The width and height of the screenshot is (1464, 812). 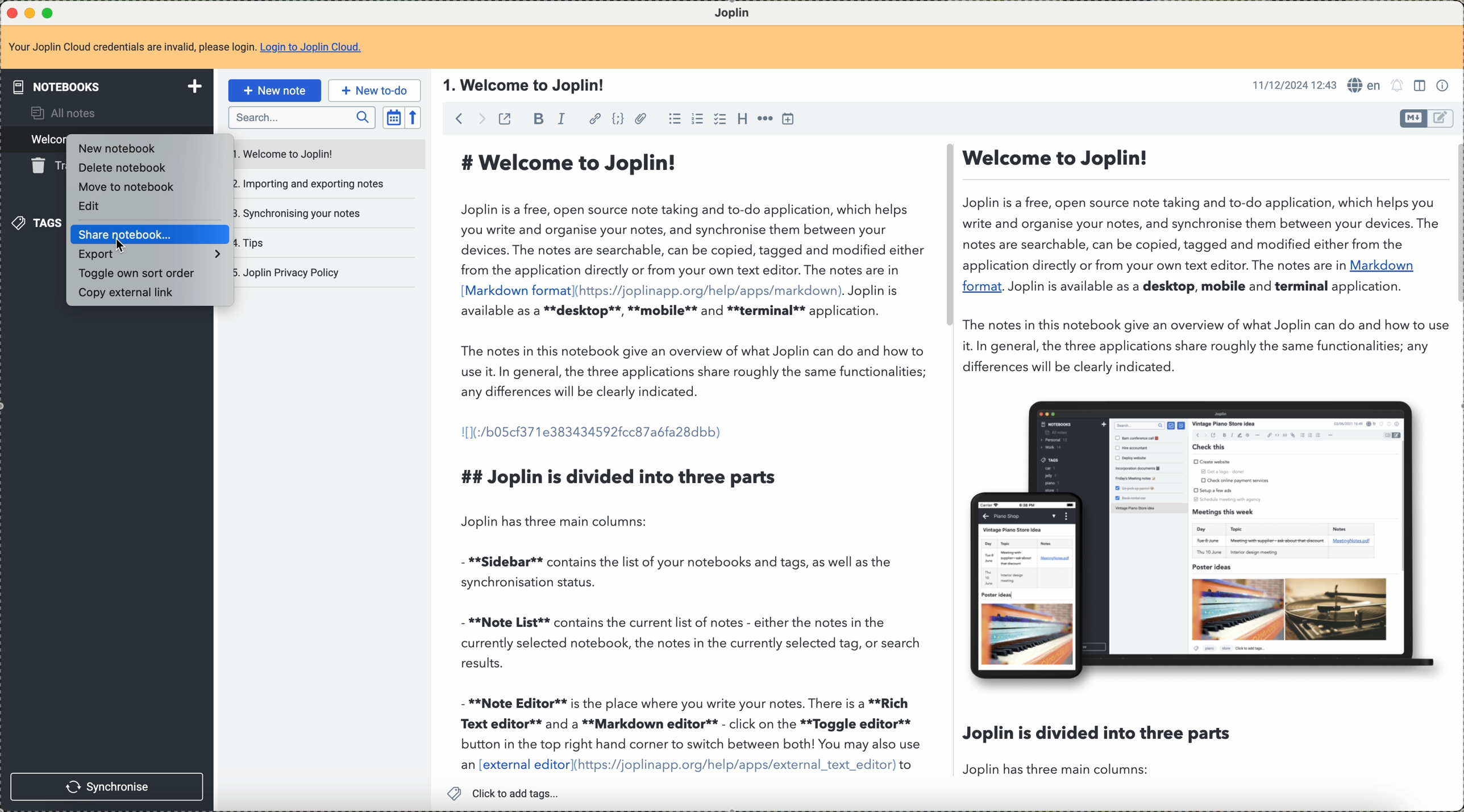 I want to click on delete notebook, so click(x=122, y=169).